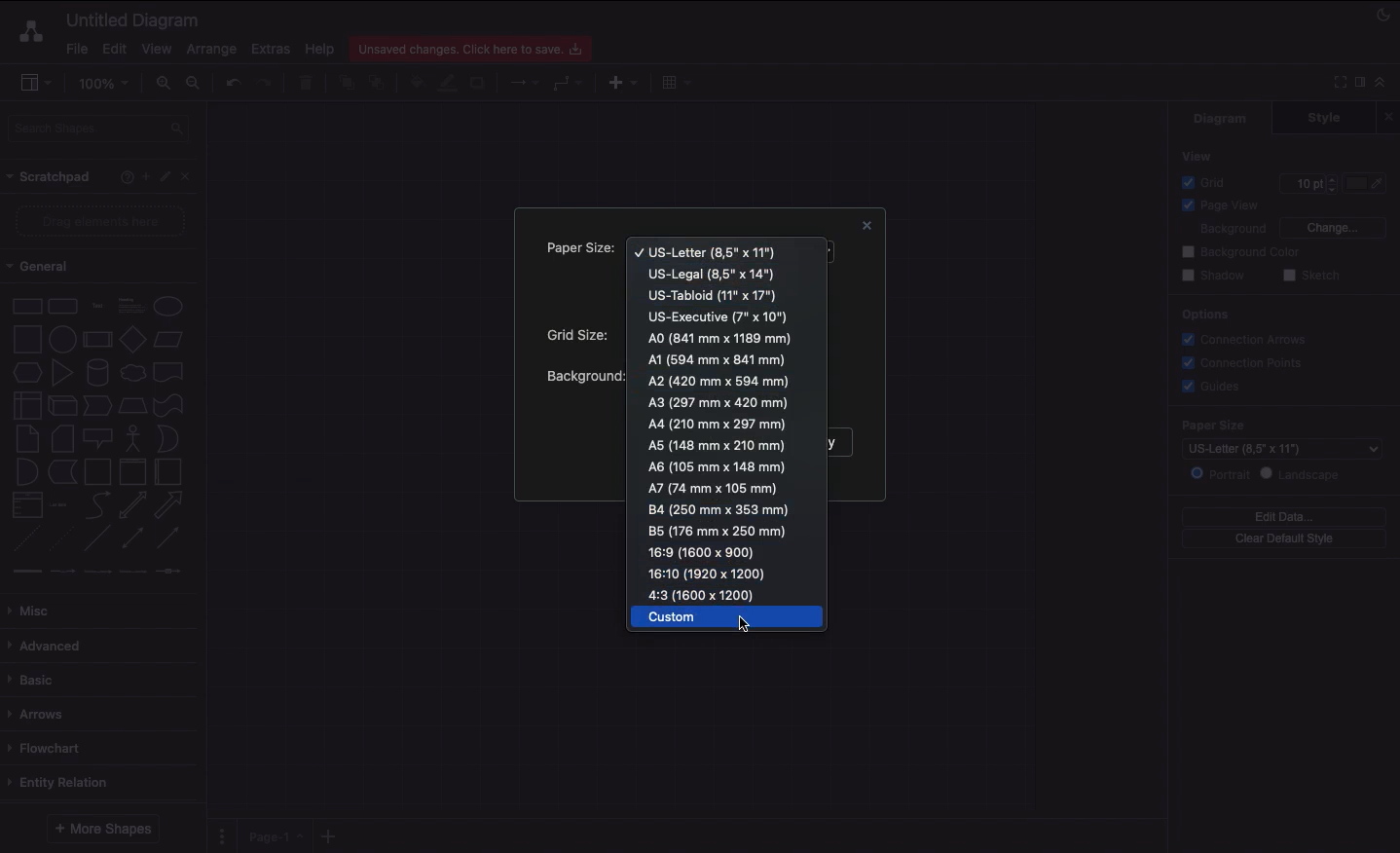 The width and height of the screenshot is (1400, 853). What do you see at coordinates (170, 571) in the screenshot?
I see `connector 5` at bounding box center [170, 571].